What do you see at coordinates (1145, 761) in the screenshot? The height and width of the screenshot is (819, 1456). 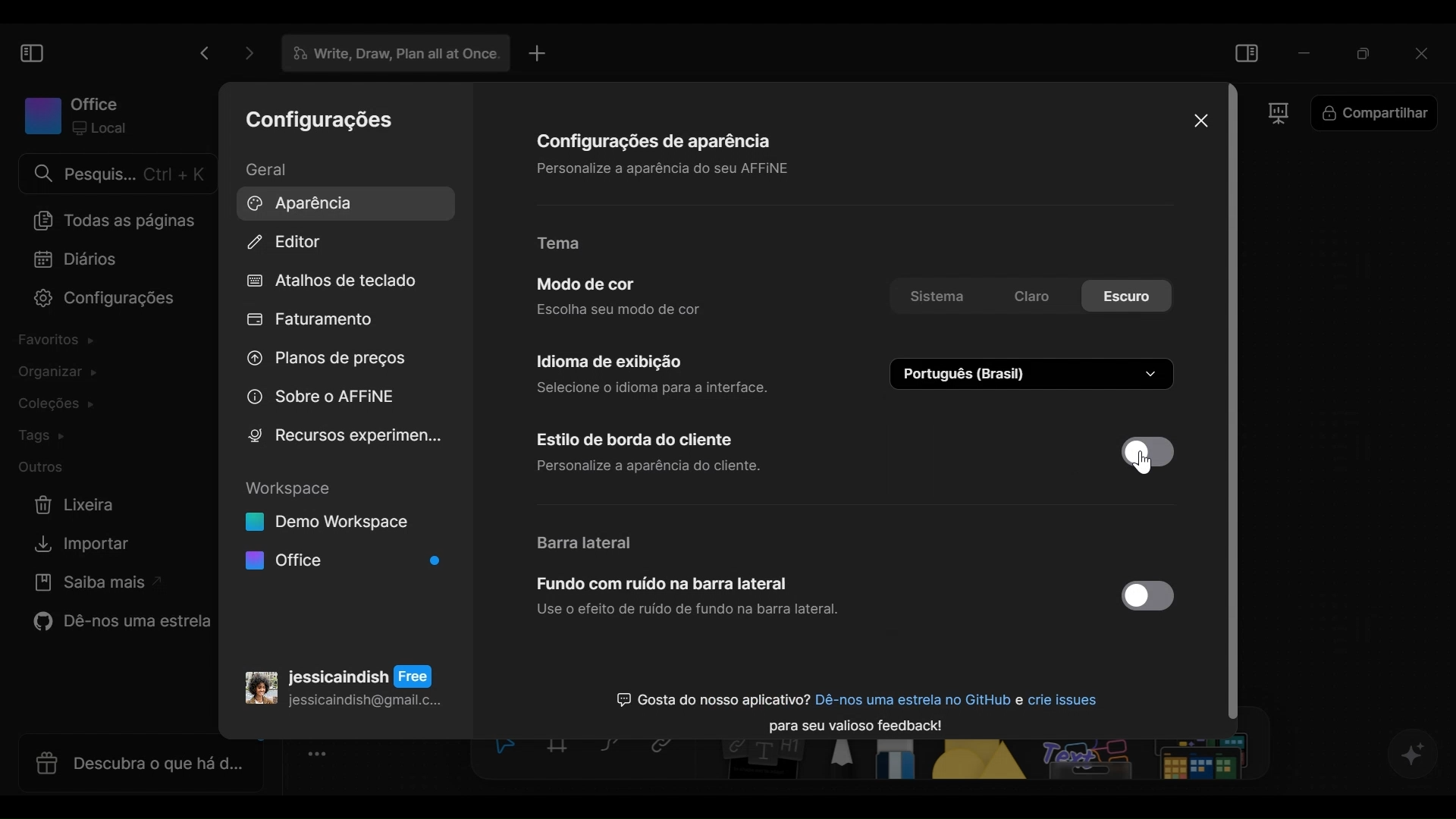 I see `Others` at bounding box center [1145, 761].